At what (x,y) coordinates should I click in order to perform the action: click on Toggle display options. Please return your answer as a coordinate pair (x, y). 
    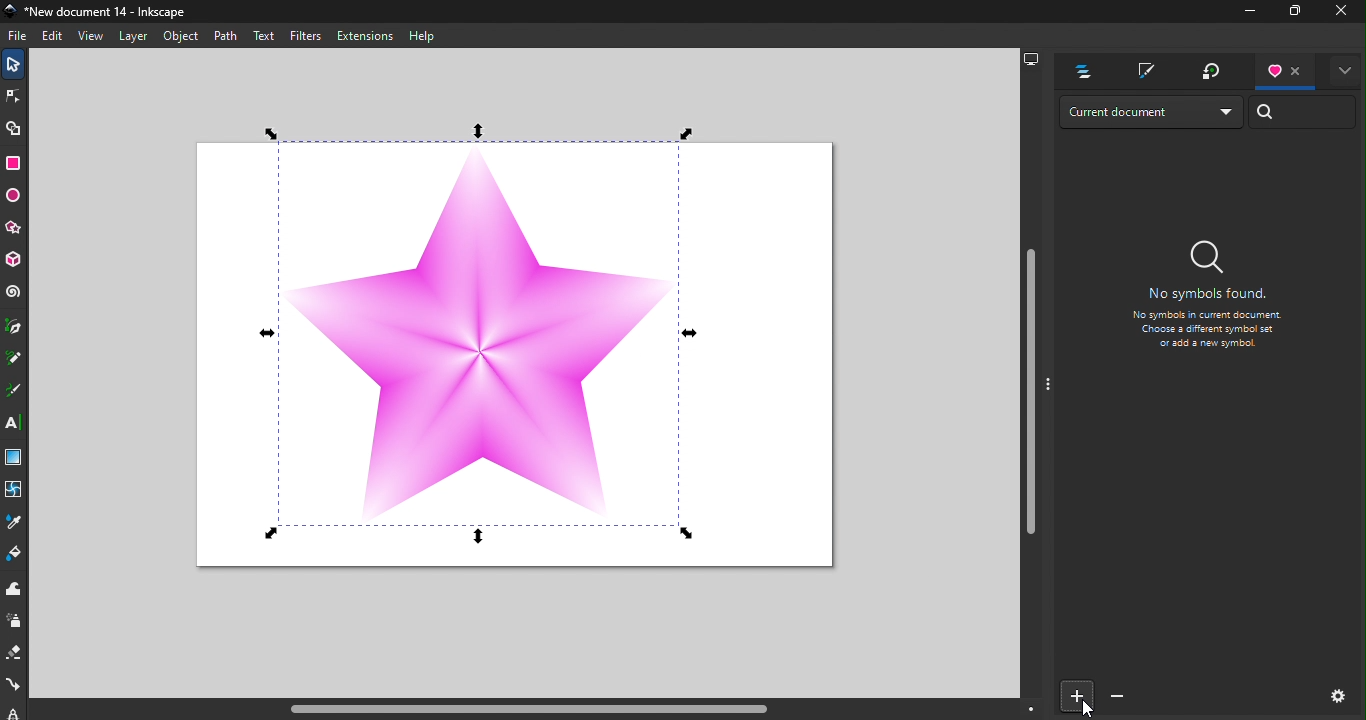
    Looking at the image, I should click on (1343, 69).